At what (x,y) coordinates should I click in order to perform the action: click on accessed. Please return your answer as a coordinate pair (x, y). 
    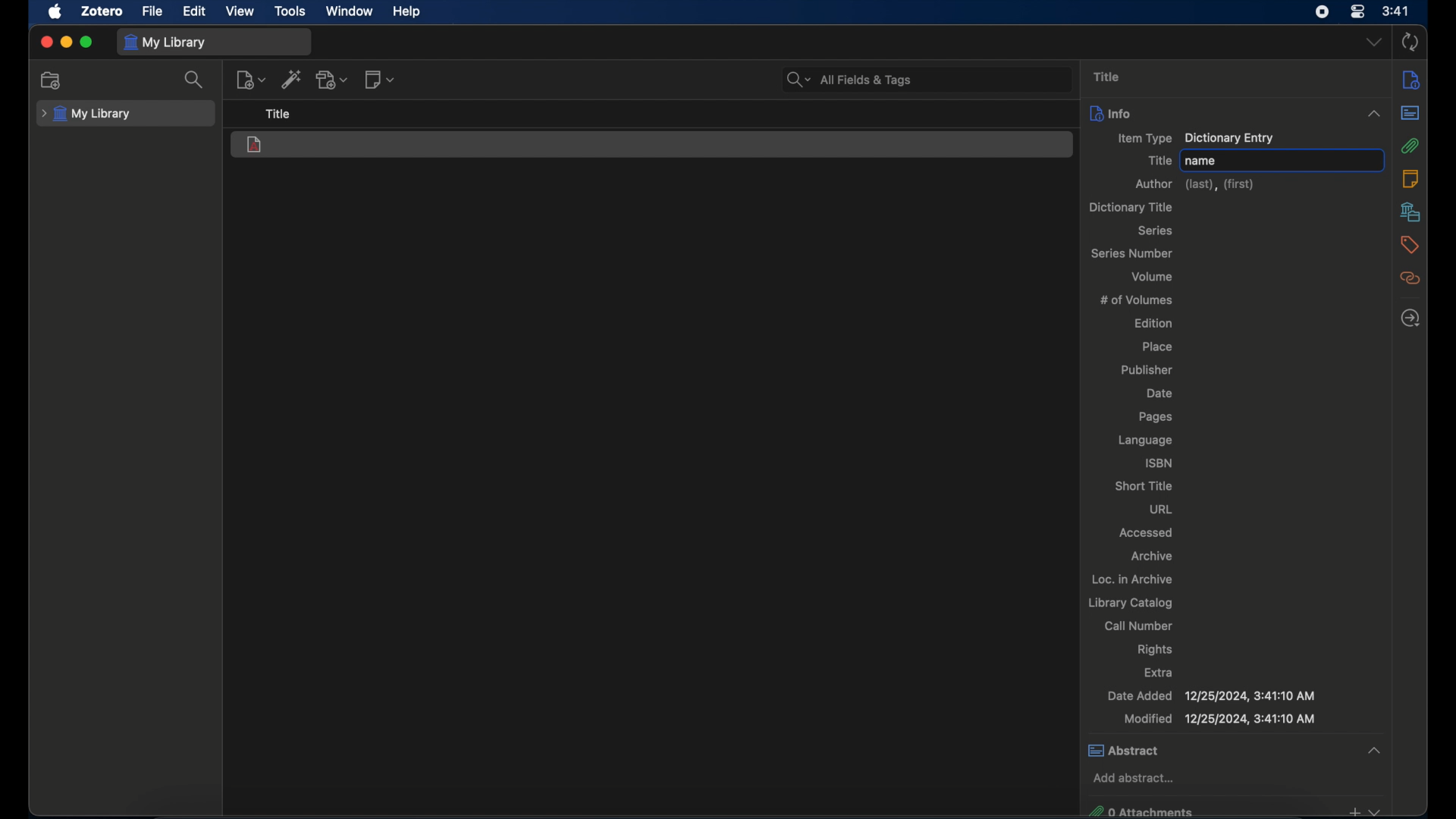
    Looking at the image, I should click on (1148, 532).